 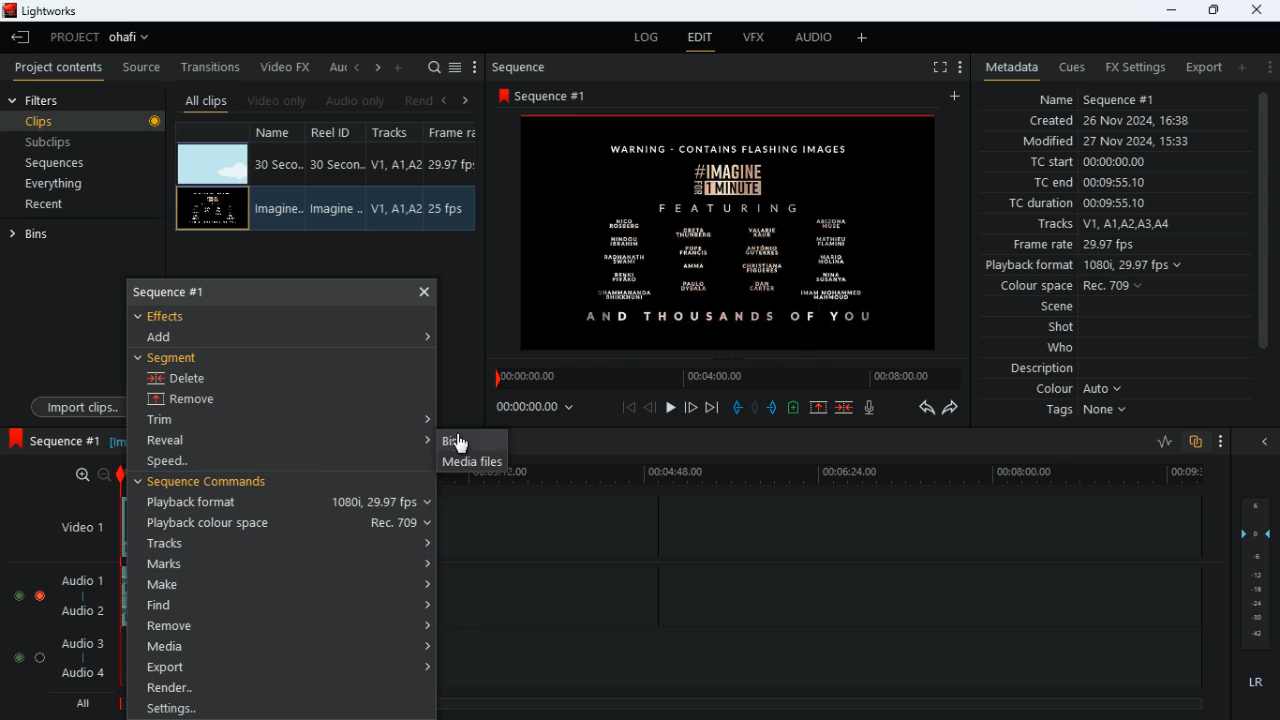 What do you see at coordinates (174, 440) in the screenshot?
I see `reveal` at bounding box center [174, 440].